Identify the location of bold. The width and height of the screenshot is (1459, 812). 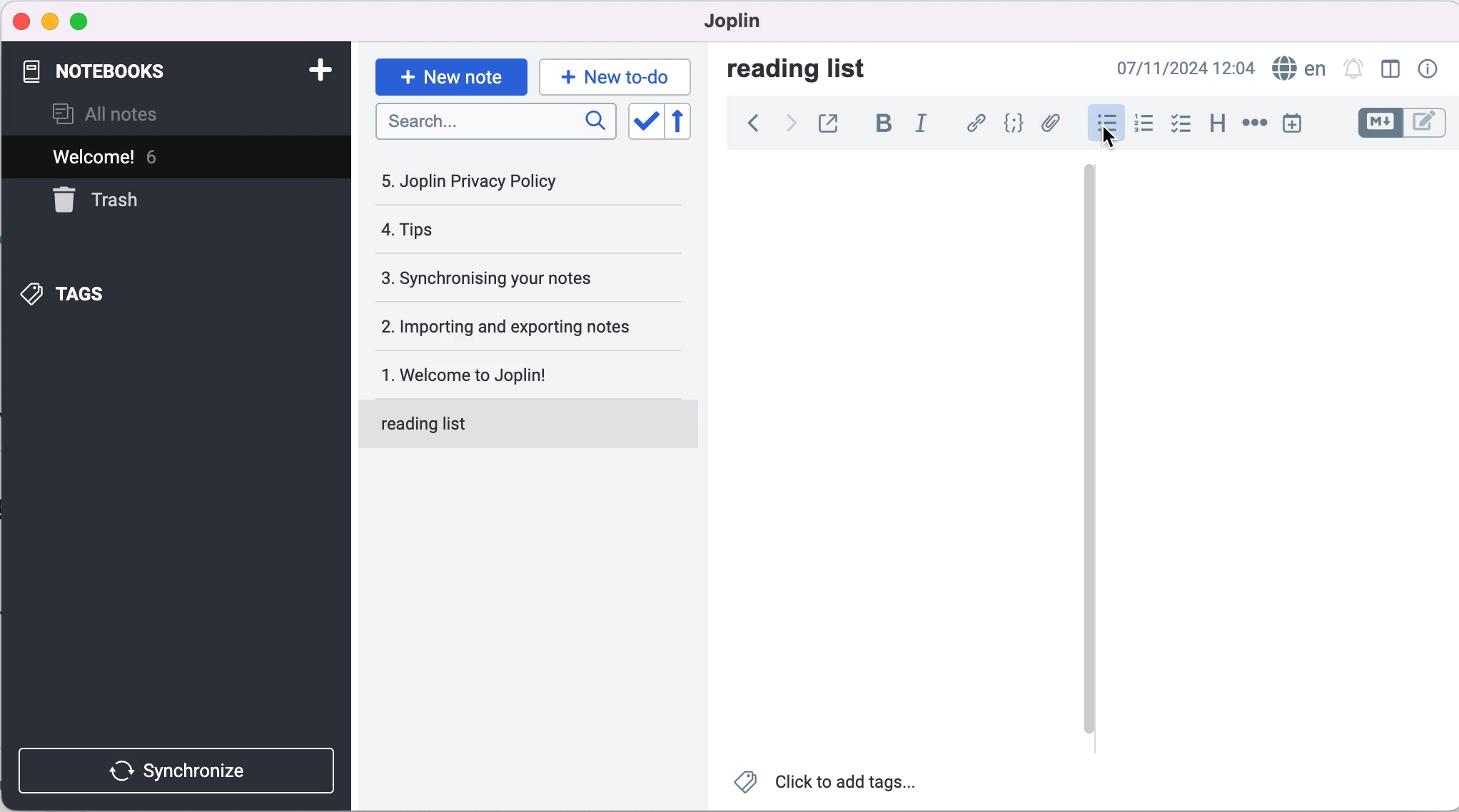
(884, 123).